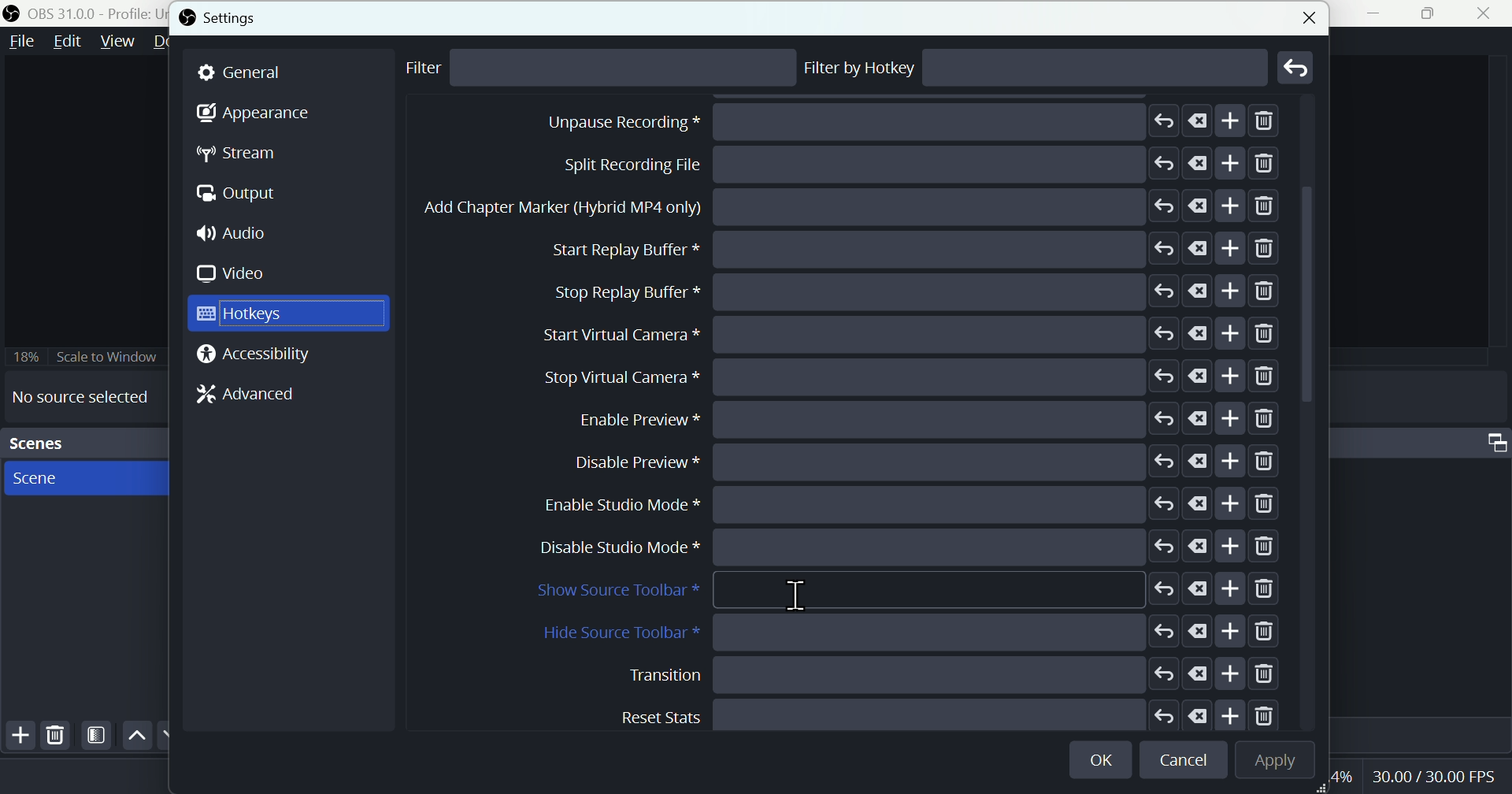 The image size is (1512, 794). I want to click on Maximise, so click(1434, 13).